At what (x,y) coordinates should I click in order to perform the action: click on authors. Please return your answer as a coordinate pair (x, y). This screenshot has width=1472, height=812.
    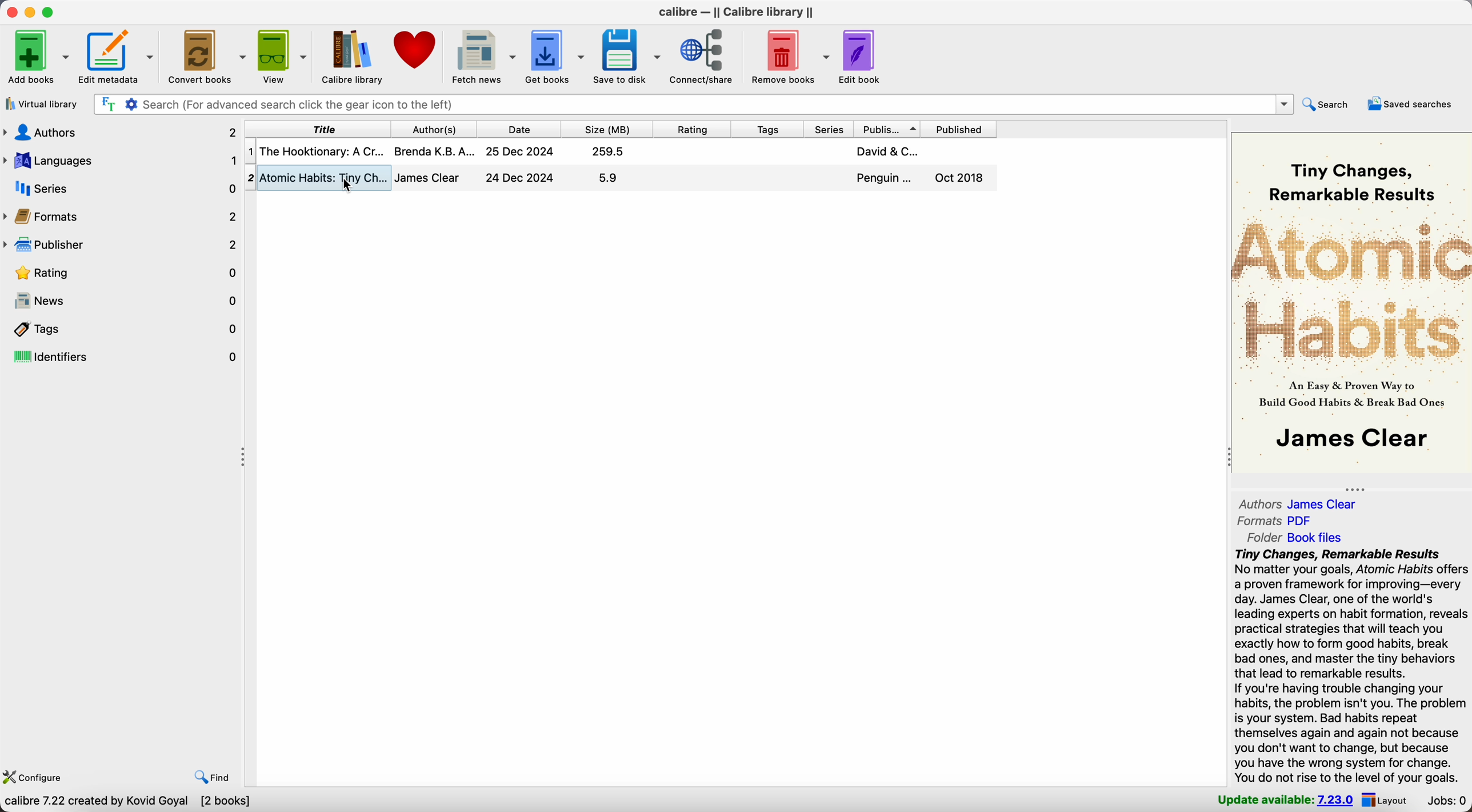
    Looking at the image, I should click on (121, 135).